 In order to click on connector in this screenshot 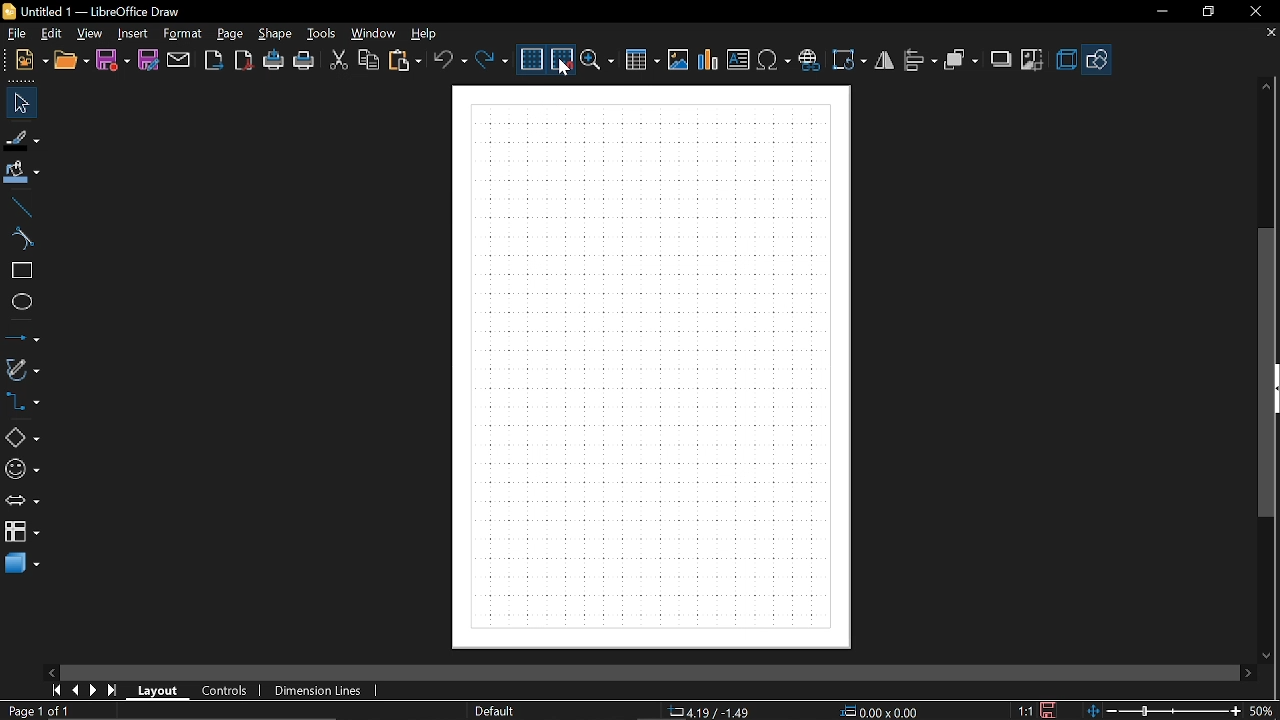, I will do `click(22, 407)`.